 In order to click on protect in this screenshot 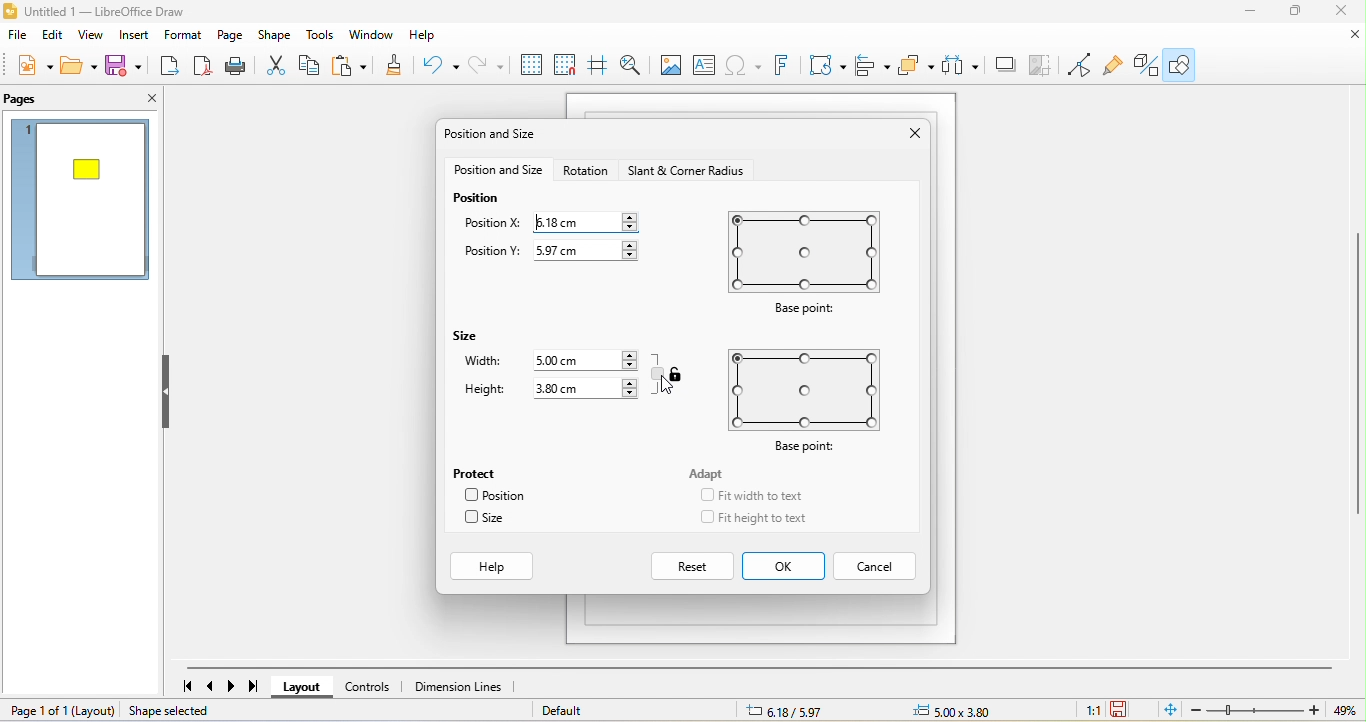, I will do `click(485, 471)`.